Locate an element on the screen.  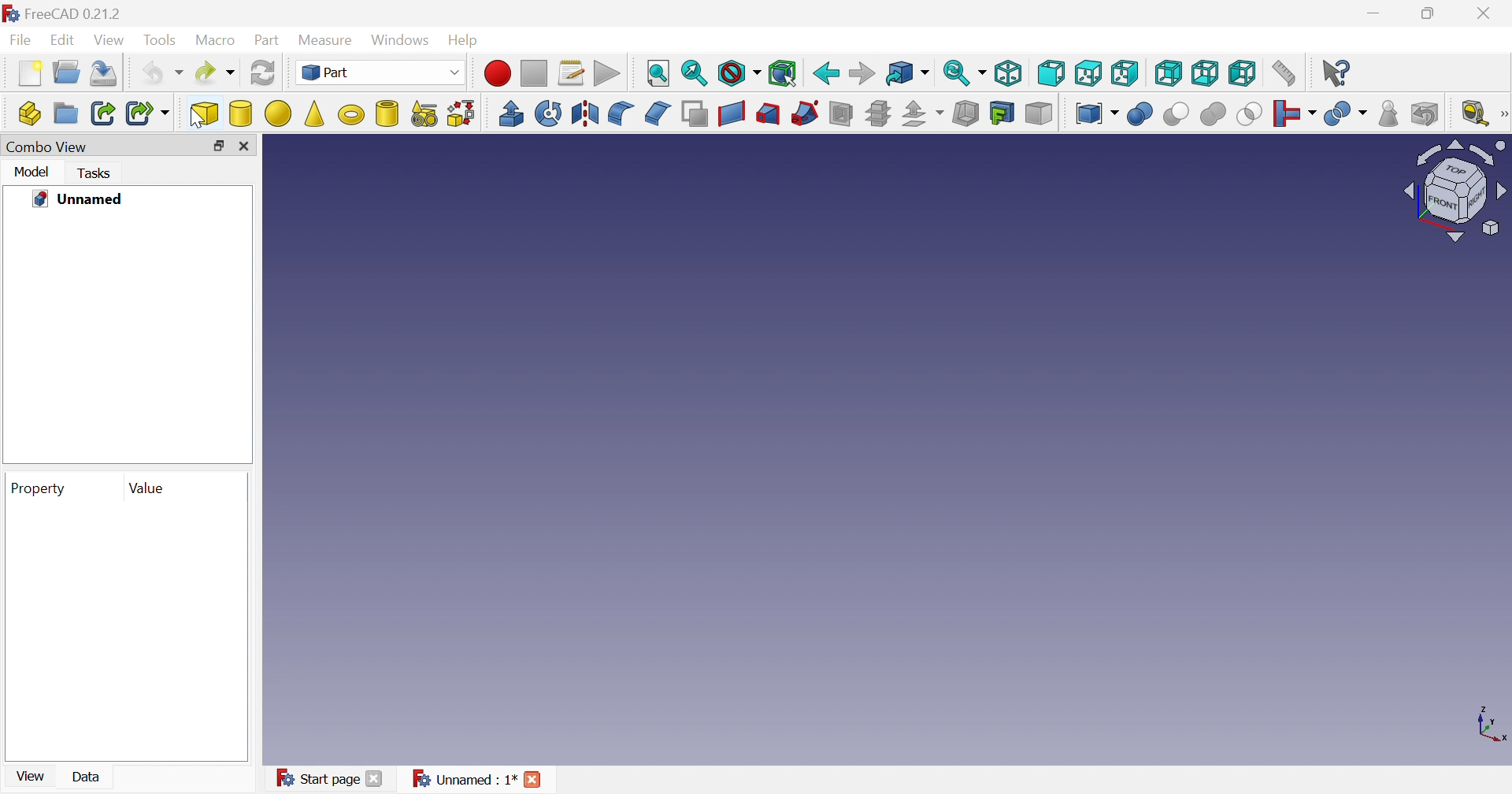
Bounding box is located at coordinates (784, 72).